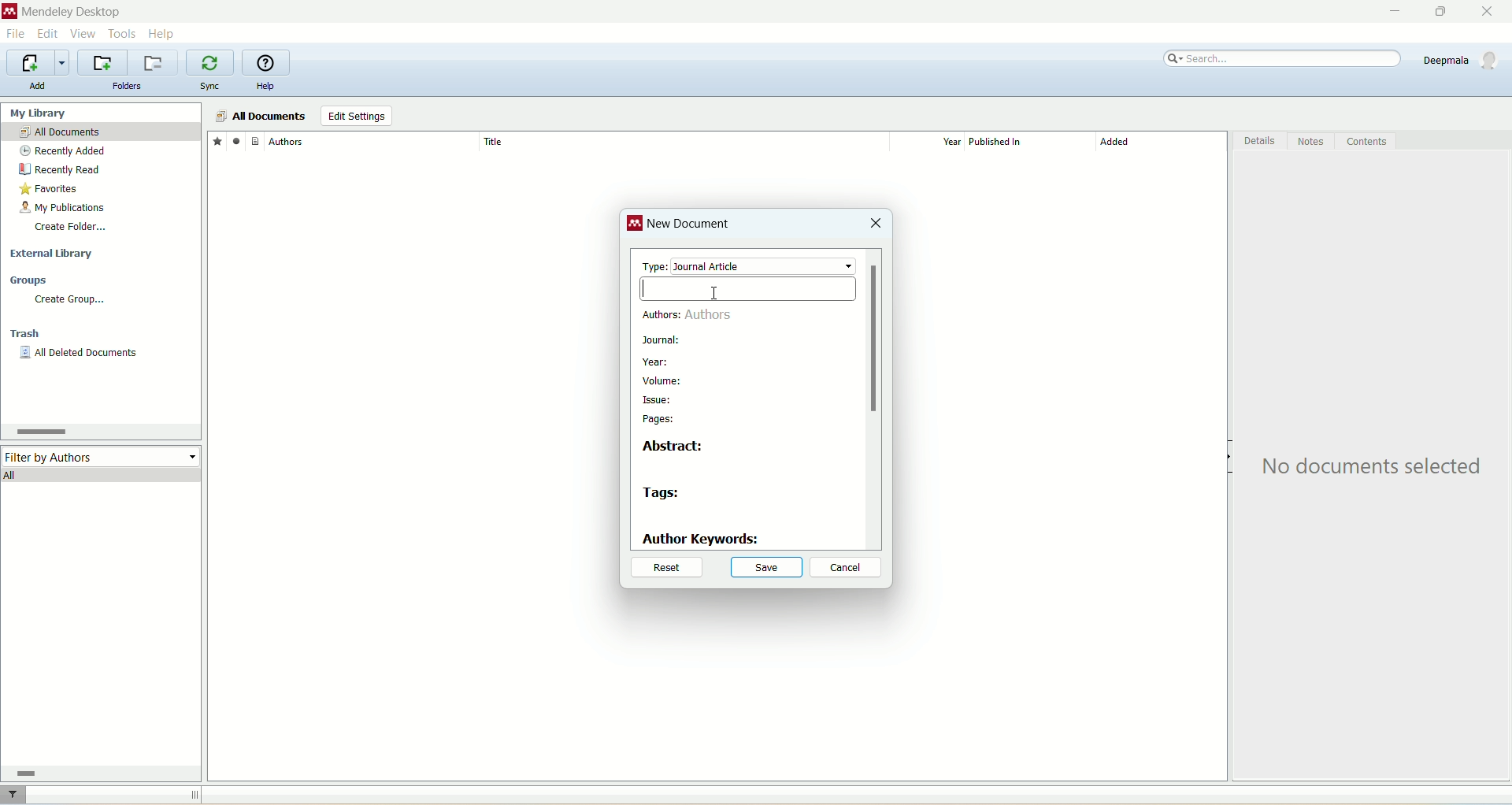 This screenshot has height=805, width=1512. Describe the element at coordinates (128, 87) in the screenshot. I see `folders` at that location.